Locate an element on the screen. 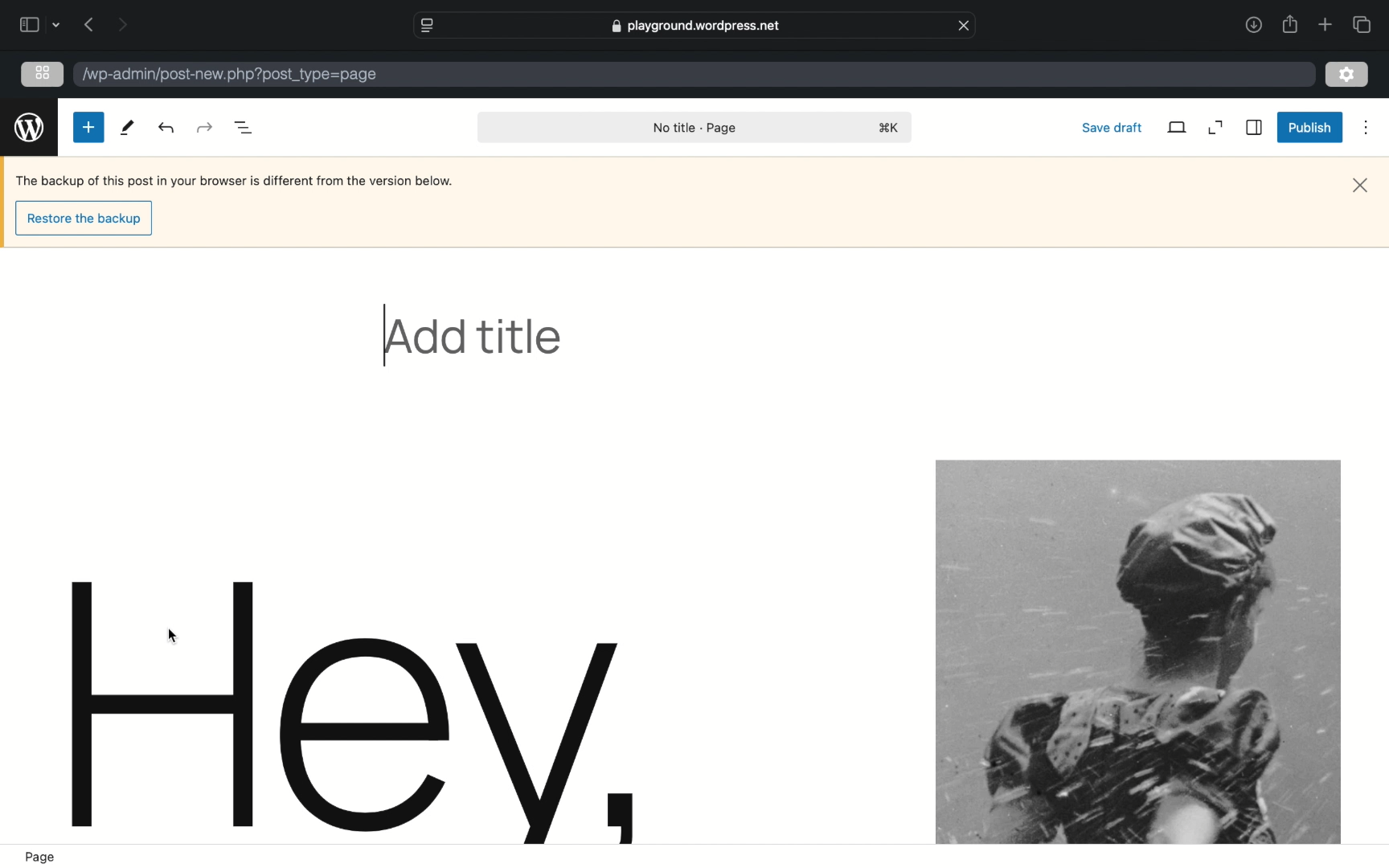  share is located at coordinates (1252, 26).